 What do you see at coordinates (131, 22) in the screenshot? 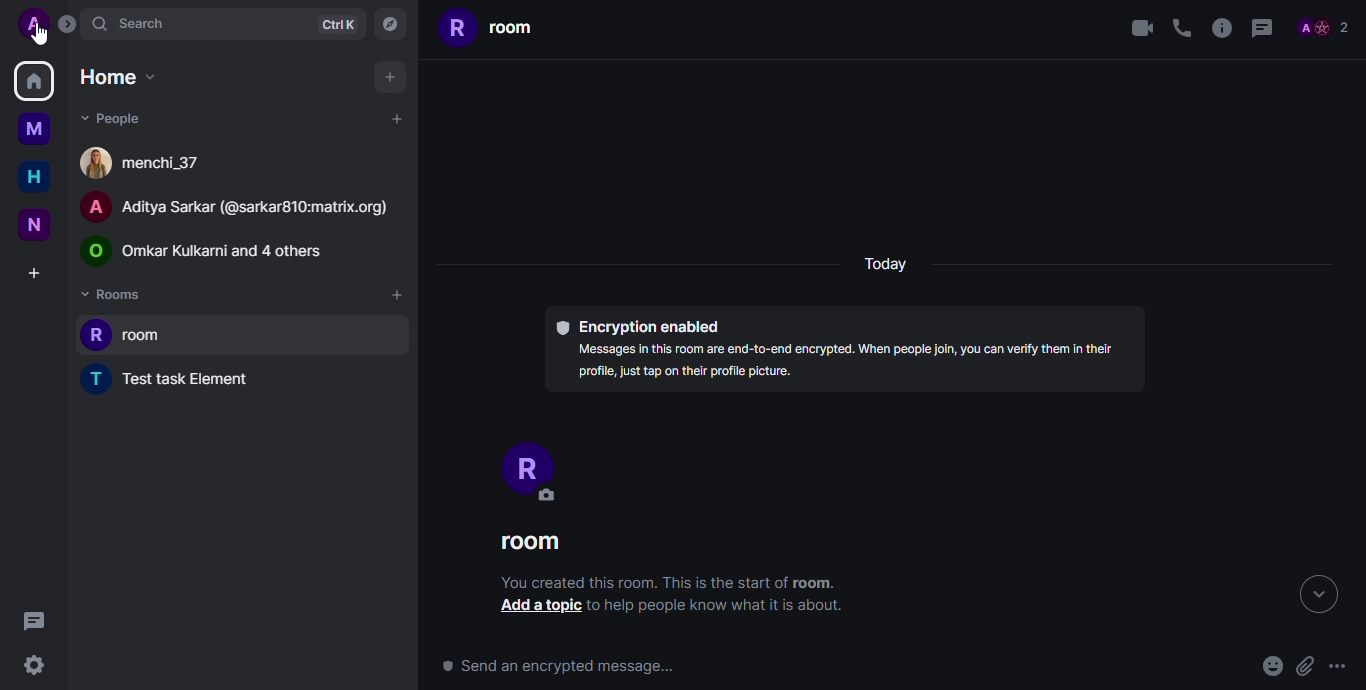
I see `search` at bounding box center [131, 22].